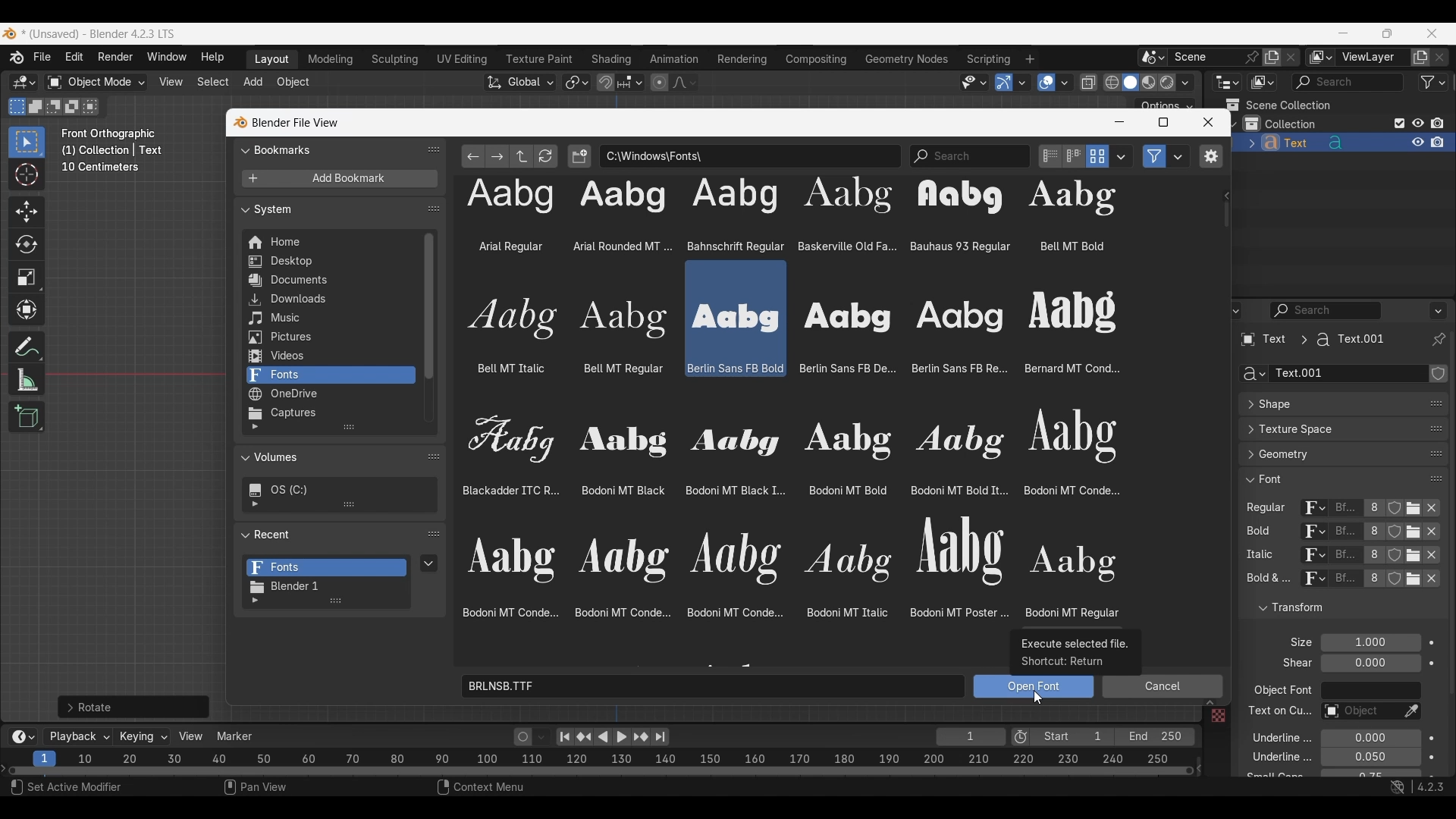  What do you see at coordinates (1406, 533) in the screenshot?
I see `nlink respective attribute` at bounding box center [1406, 533].